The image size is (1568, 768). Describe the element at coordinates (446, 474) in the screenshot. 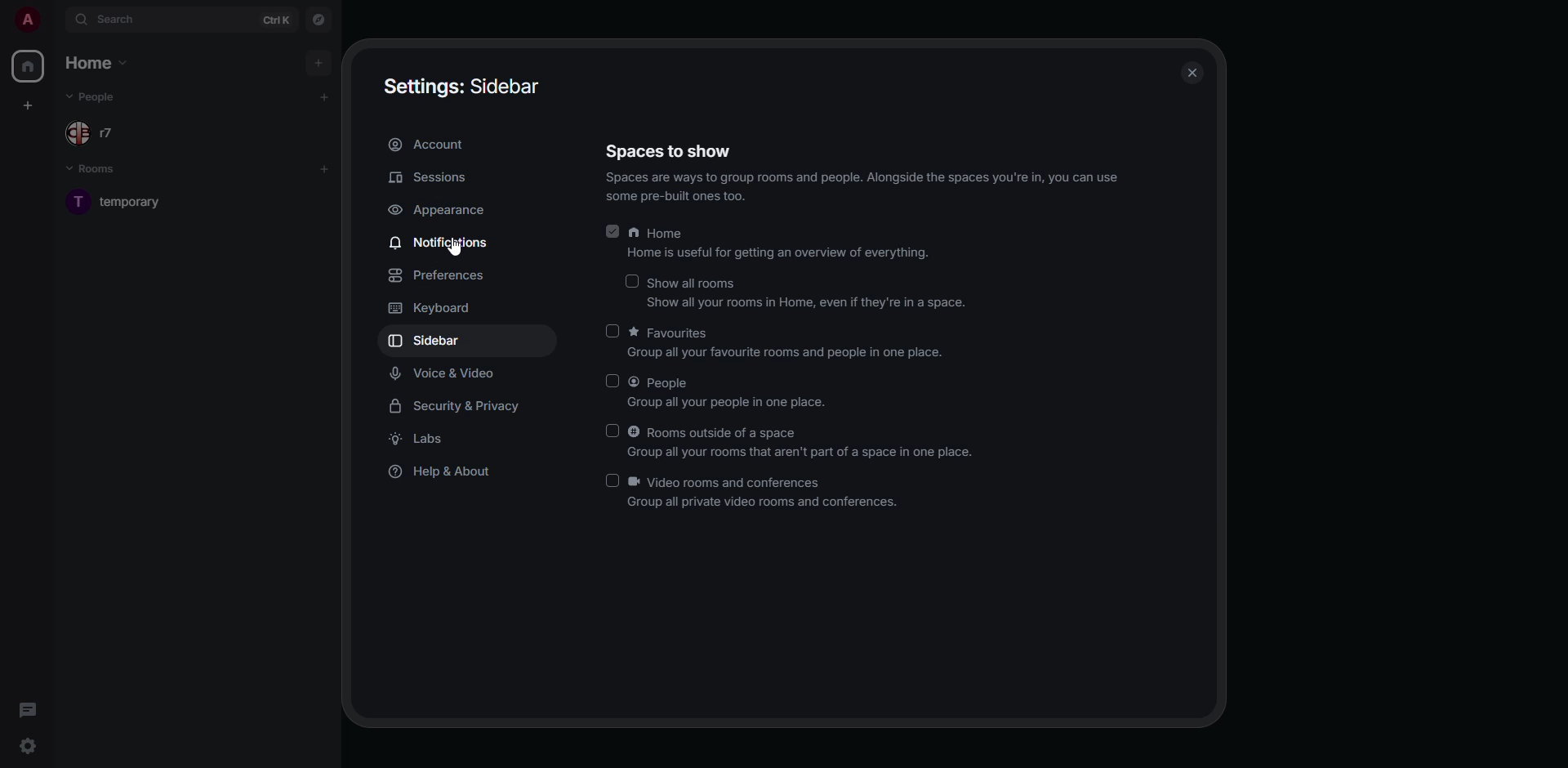

I see `help & about` at that location.